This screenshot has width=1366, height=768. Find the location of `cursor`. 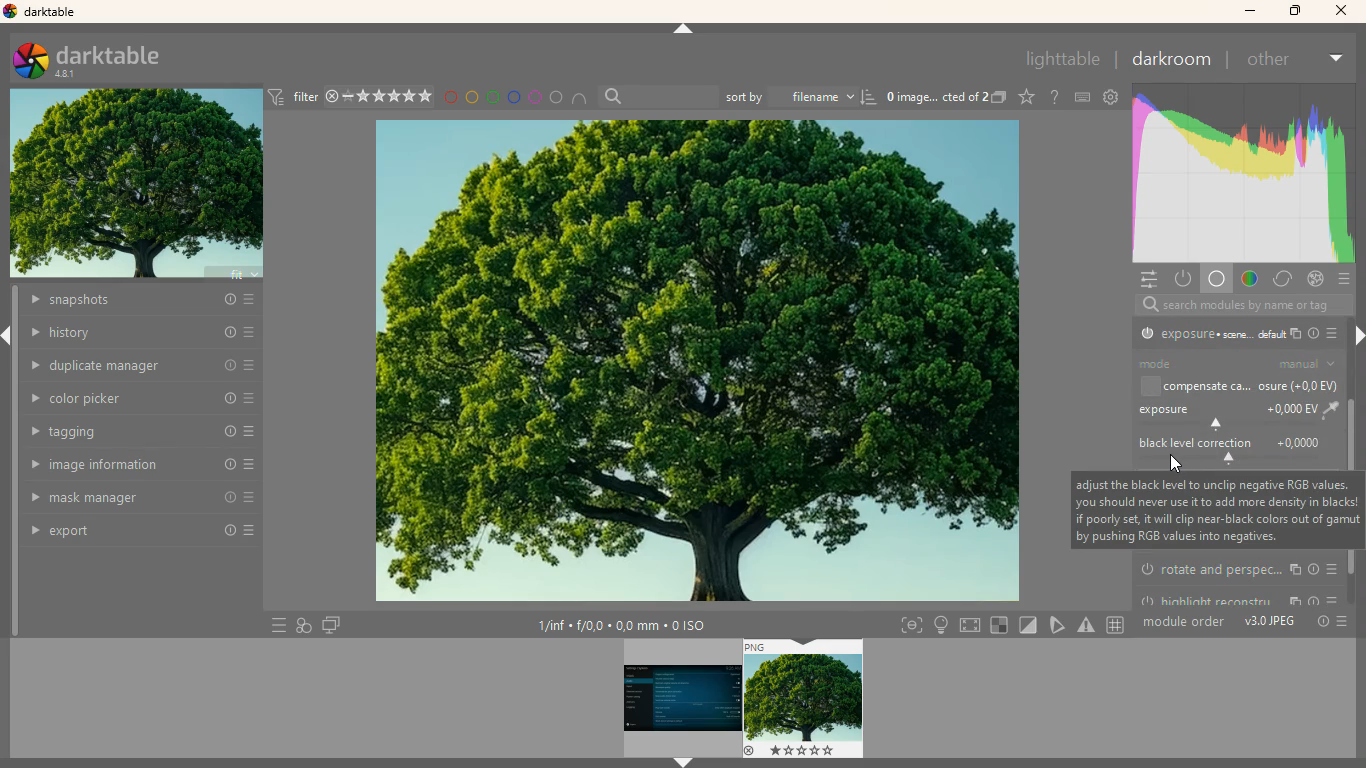

cursor is located at coordinates (1174, 464).